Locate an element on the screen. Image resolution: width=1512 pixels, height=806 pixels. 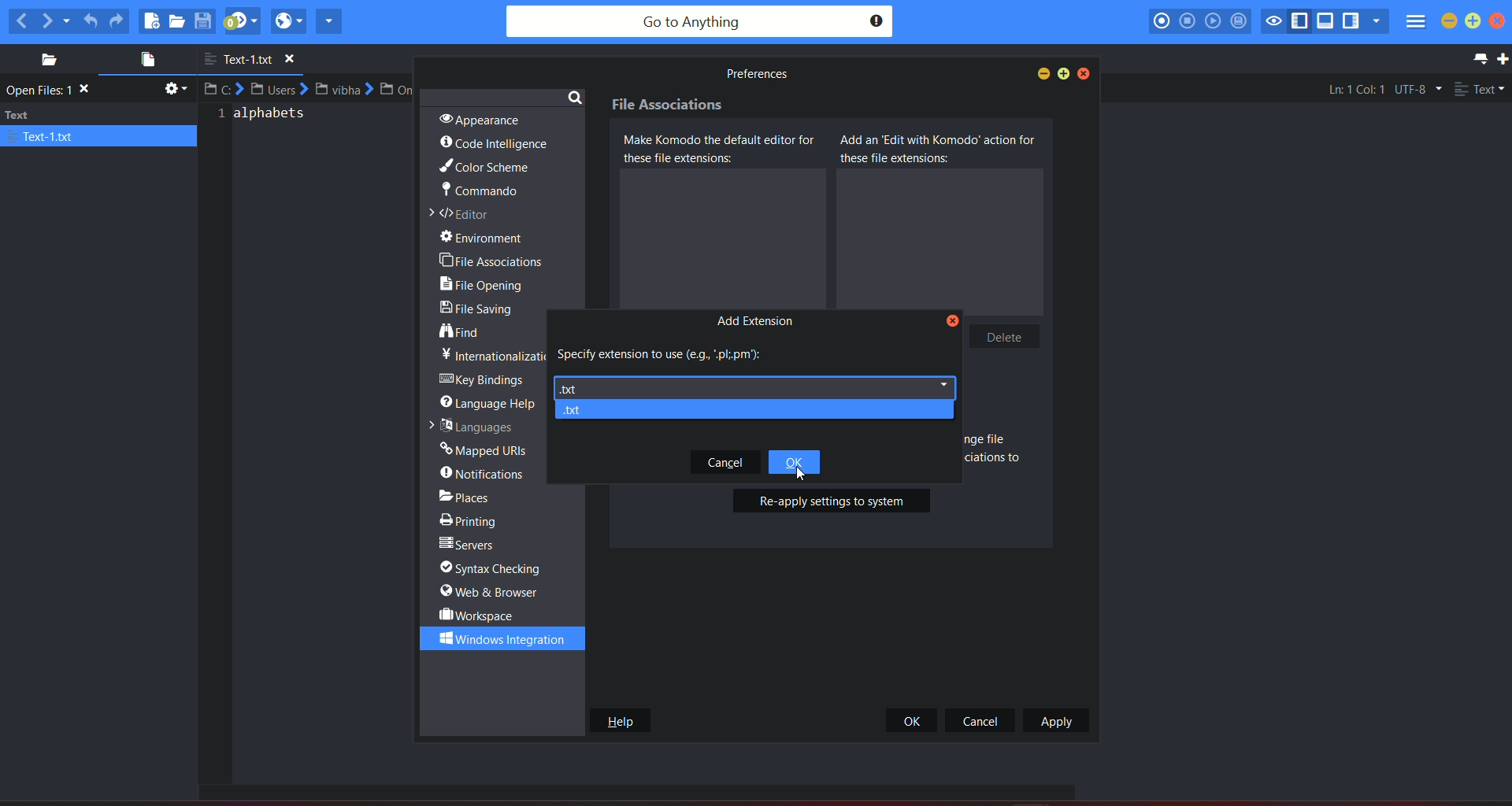
file name is located at coordinates (256, 60).